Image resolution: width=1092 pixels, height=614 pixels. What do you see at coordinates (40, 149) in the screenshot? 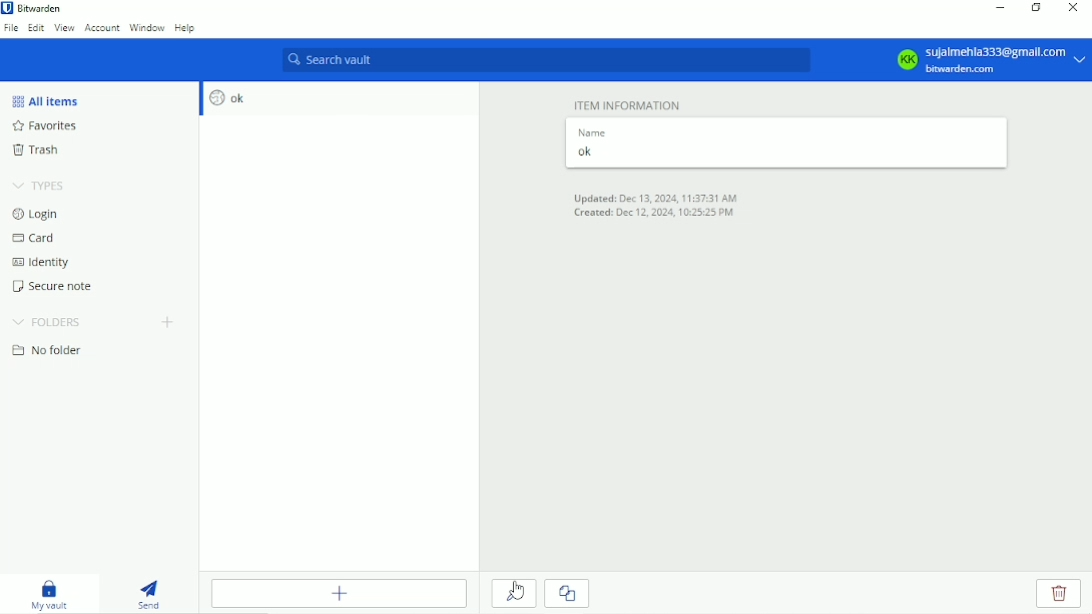
I see `Trash` at bounding box center [40, 149].